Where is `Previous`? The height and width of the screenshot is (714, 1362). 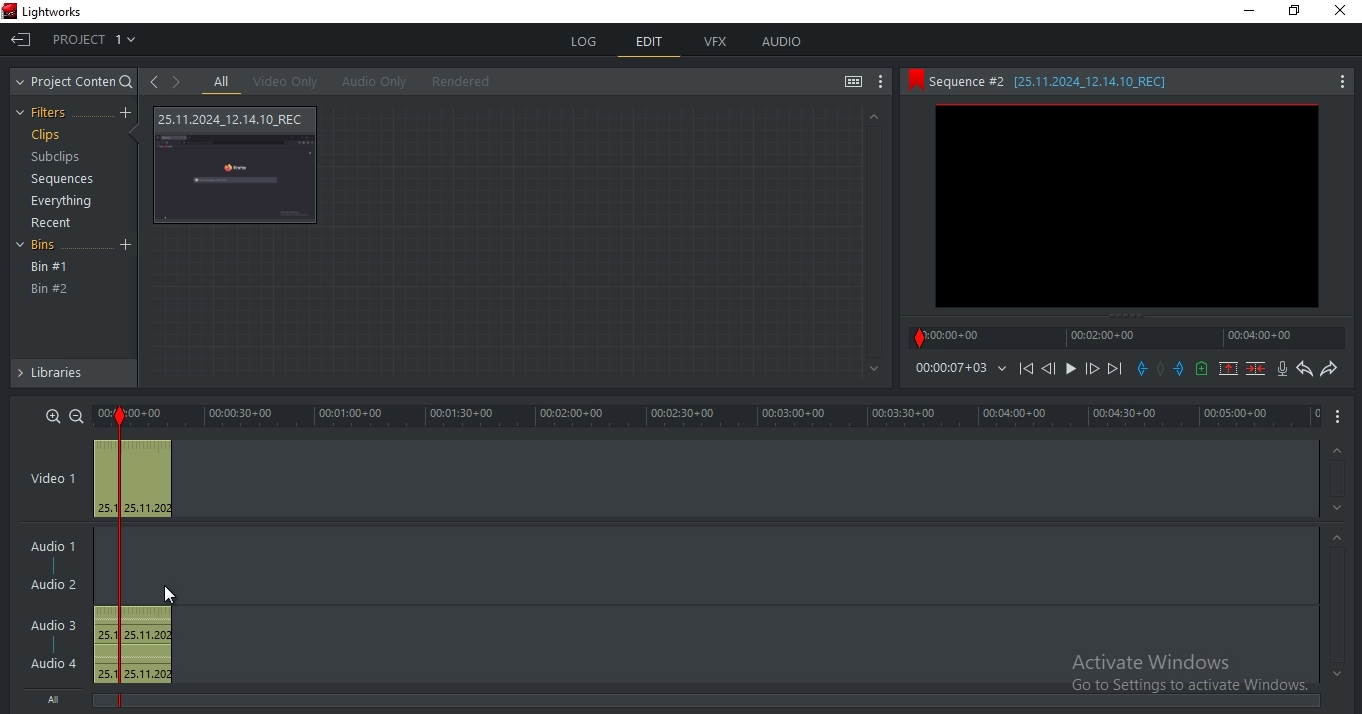
Previous is located at coordinates (1048, 368).